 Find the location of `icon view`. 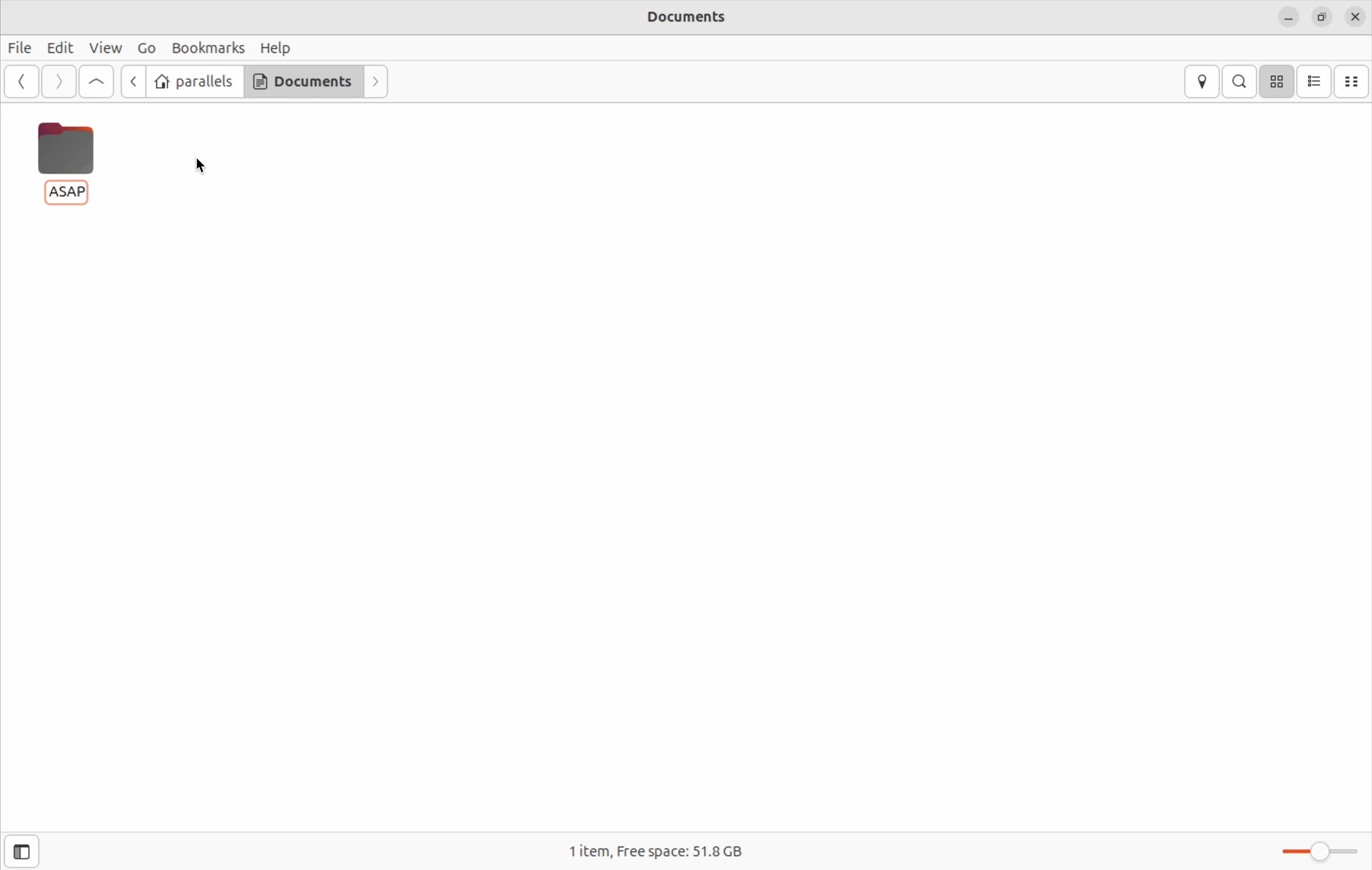

icon view is located at coordinates (1278, 81).